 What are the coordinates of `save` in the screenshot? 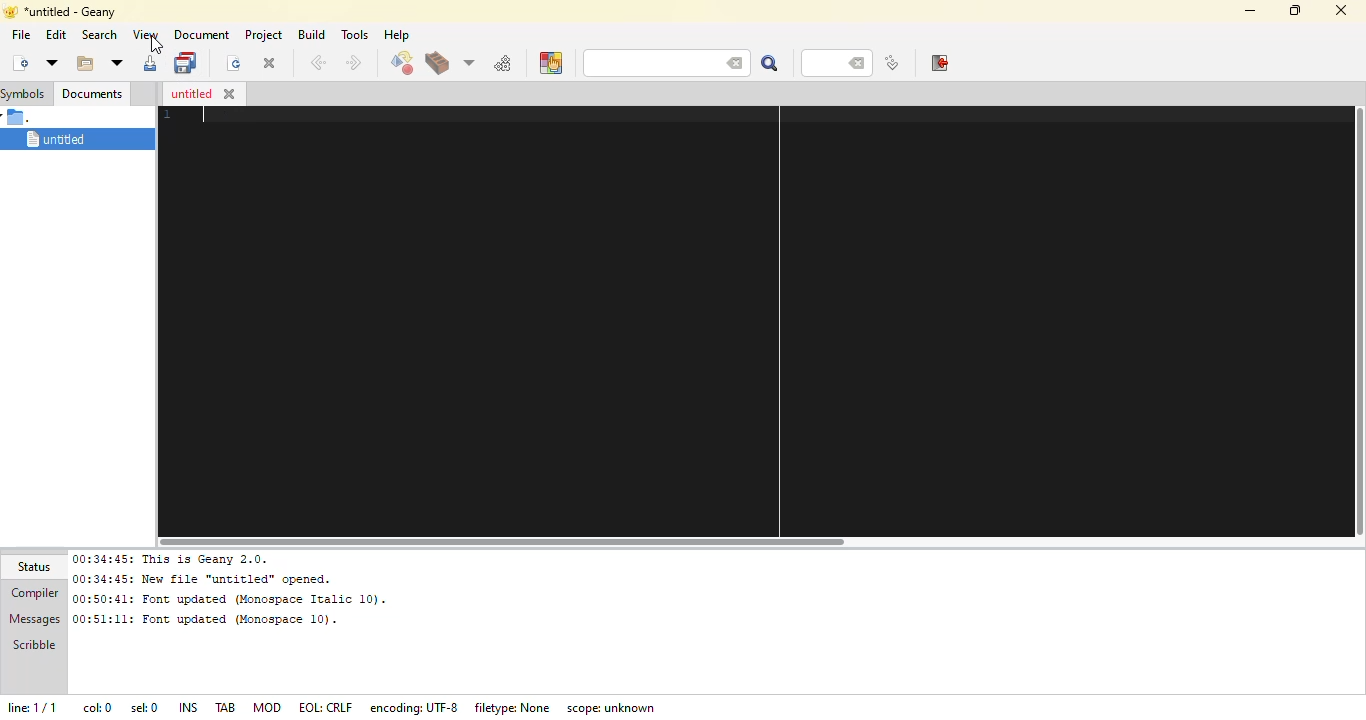 It's located at (149, 65).